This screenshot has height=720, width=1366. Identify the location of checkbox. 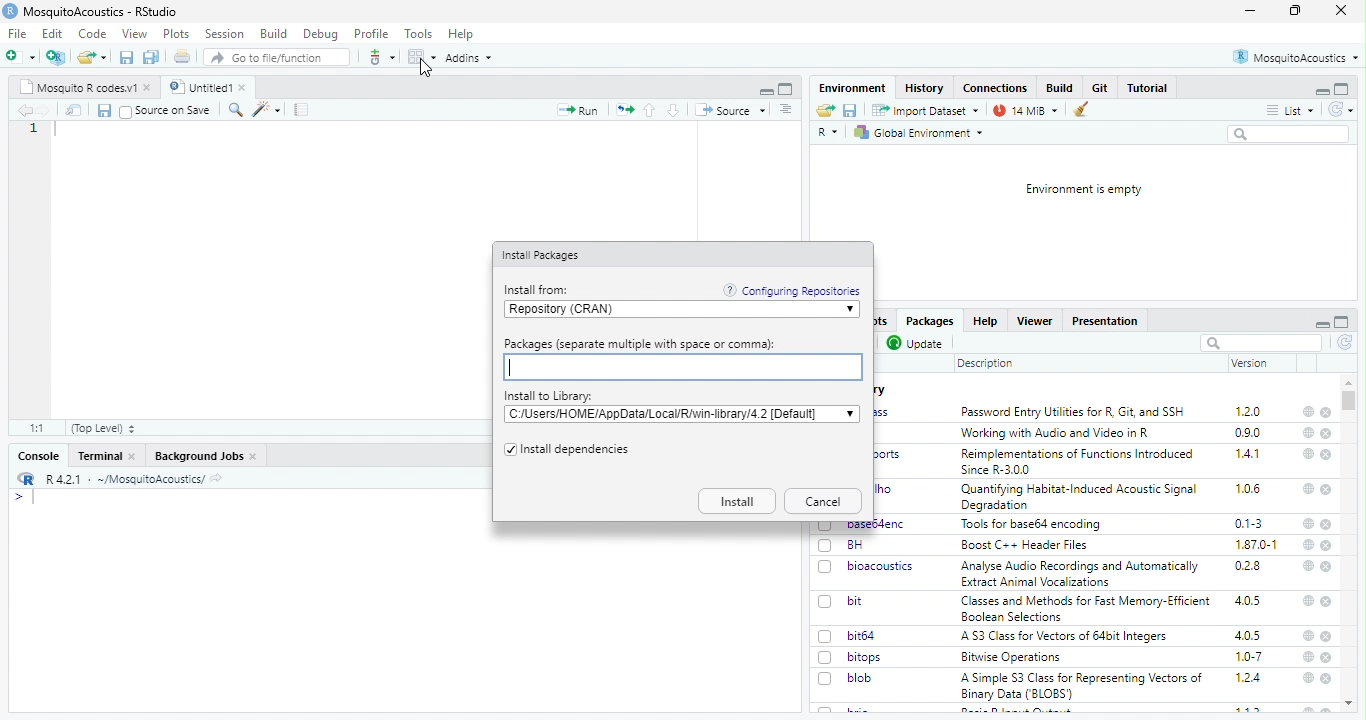
(825, 679).